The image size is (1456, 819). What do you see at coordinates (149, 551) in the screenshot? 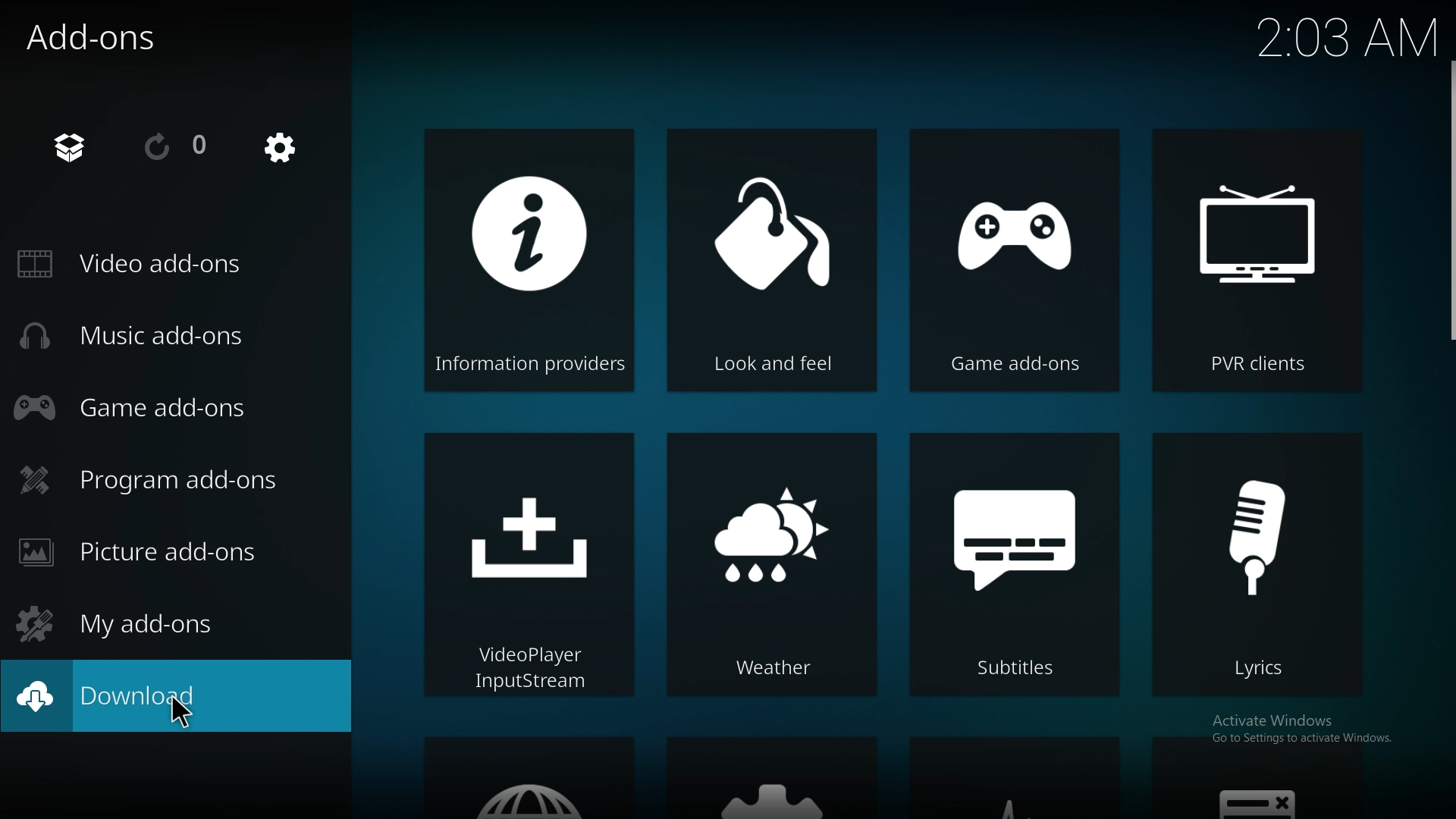
I see `picture add ons` at bounding box center [149, 551].